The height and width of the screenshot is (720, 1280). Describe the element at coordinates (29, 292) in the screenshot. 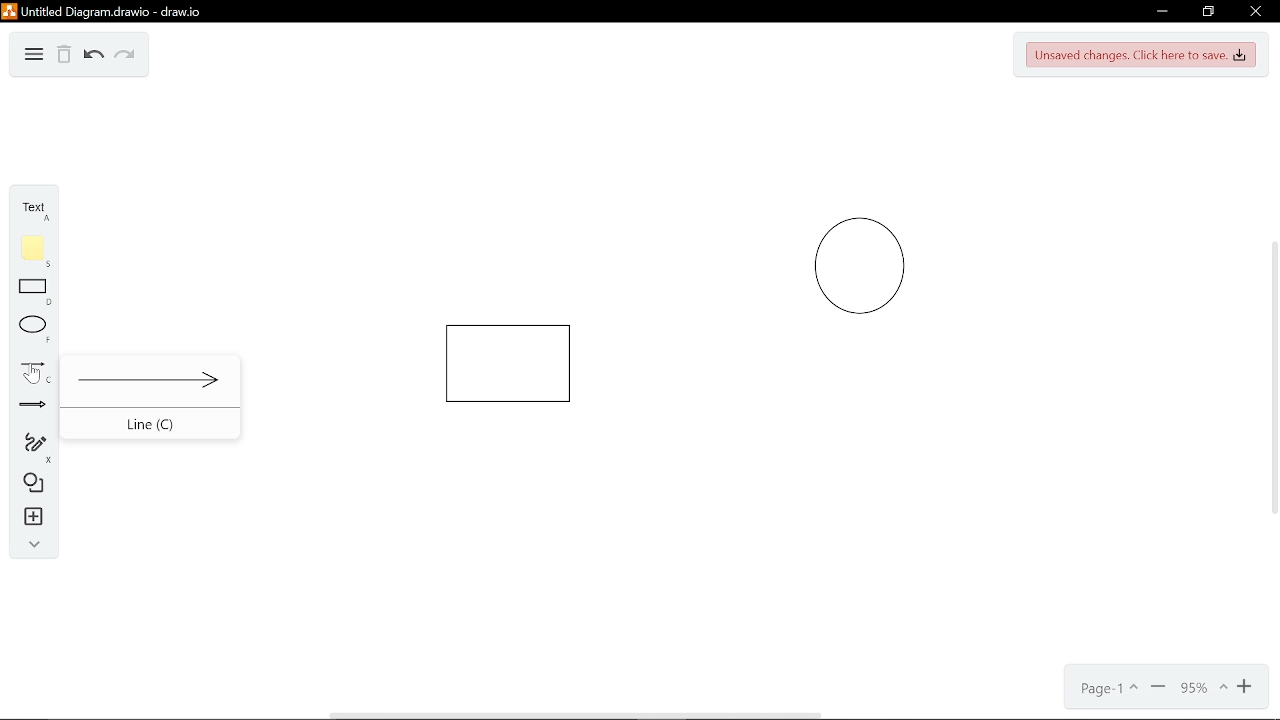

I see `Rectangle` at that location.